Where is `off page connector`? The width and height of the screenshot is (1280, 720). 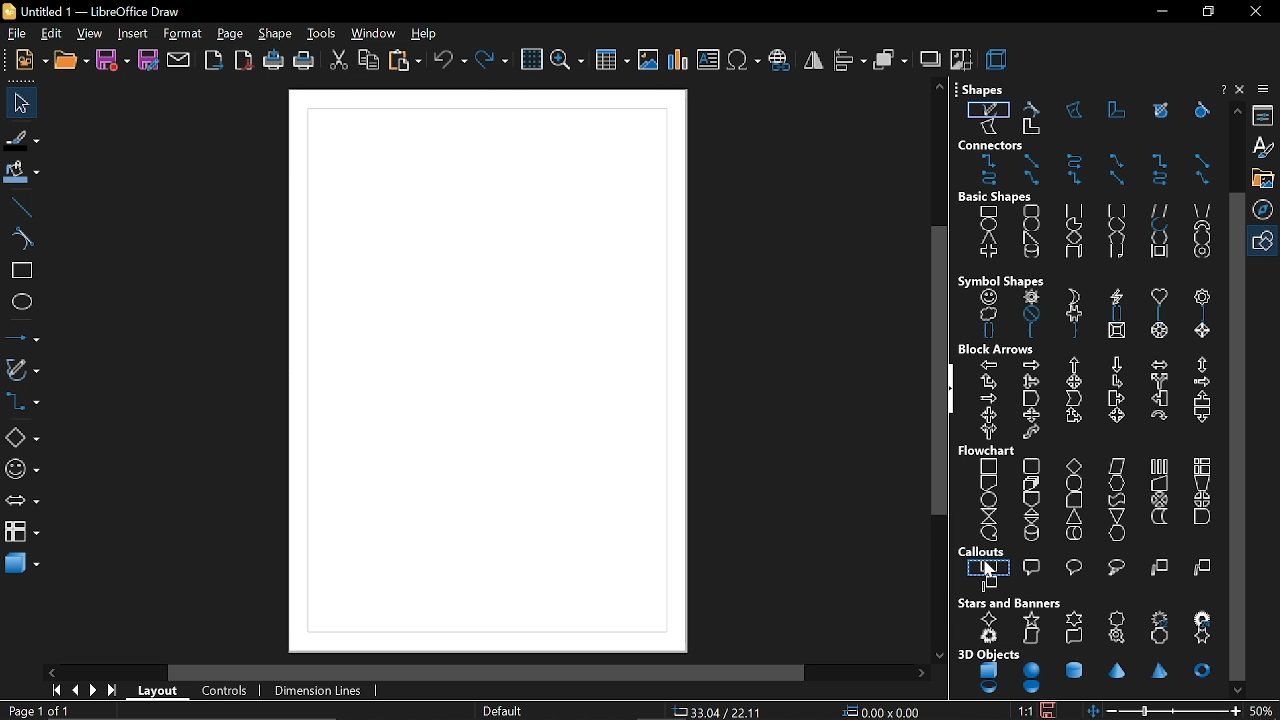
off page connector is located at coordinates (1029, 499).